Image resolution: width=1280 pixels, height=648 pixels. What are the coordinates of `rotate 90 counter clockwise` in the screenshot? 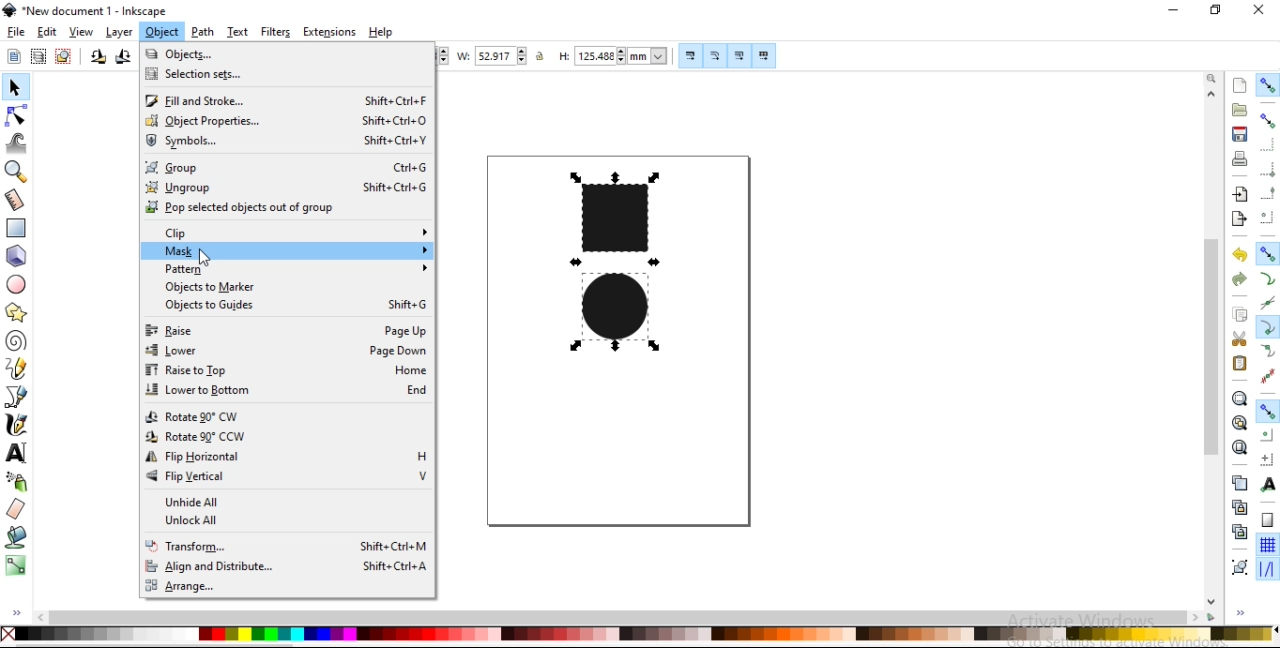 It's located at (98, 59).